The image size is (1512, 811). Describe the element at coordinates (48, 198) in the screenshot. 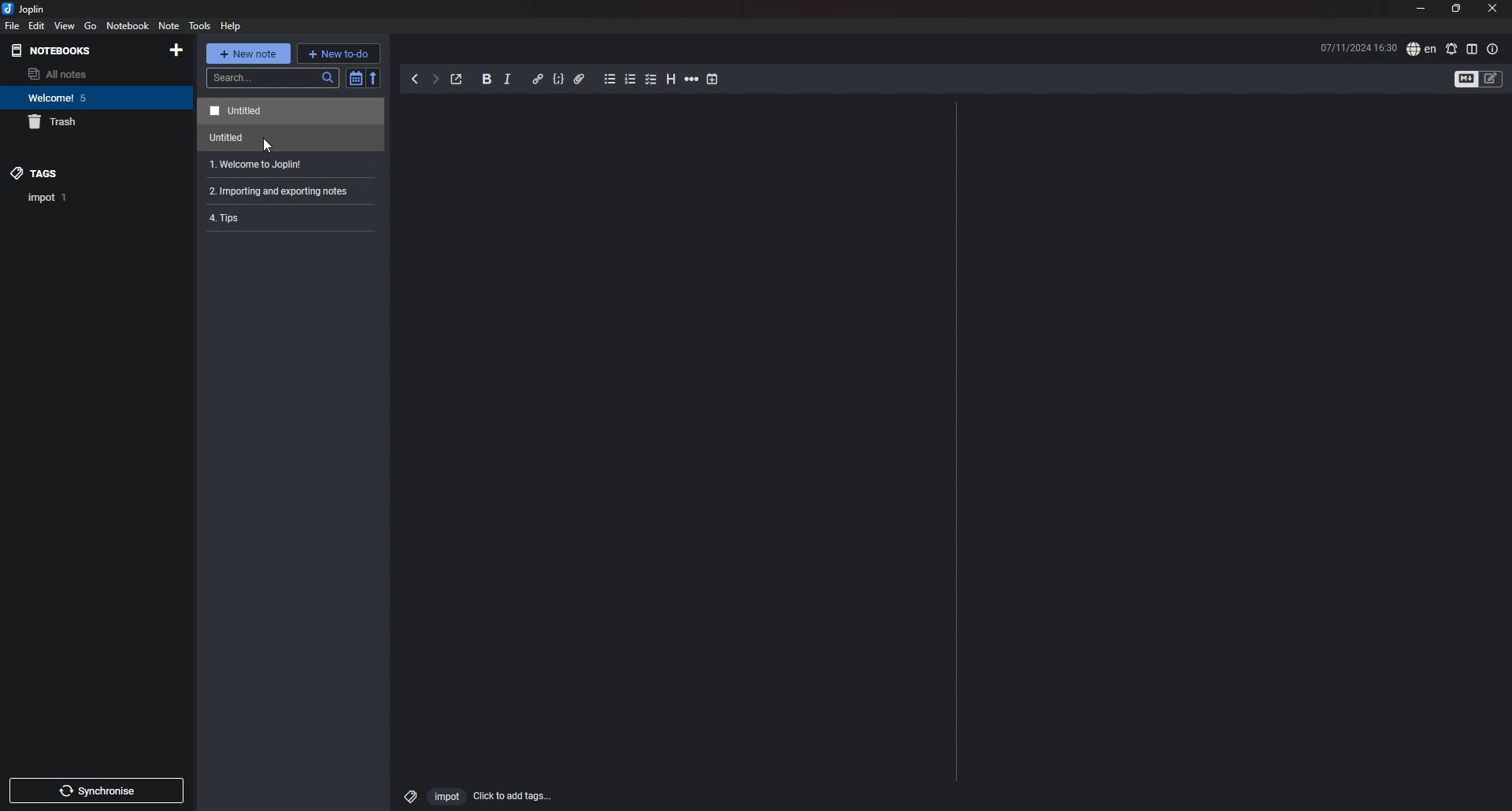

I see `tag` at that location.